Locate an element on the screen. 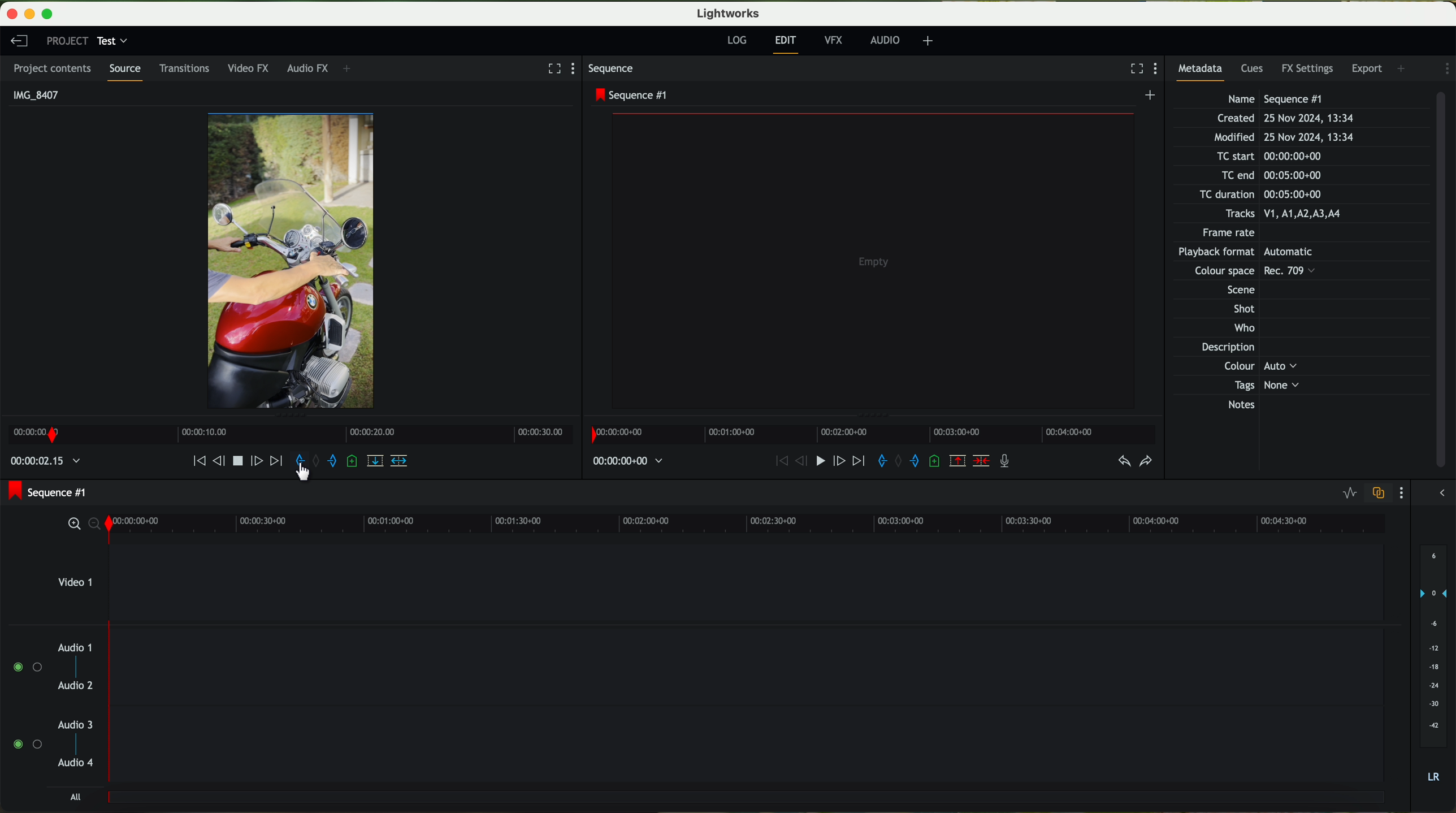 The image size is (1456, 813). + is located at coordinates (351, 70).